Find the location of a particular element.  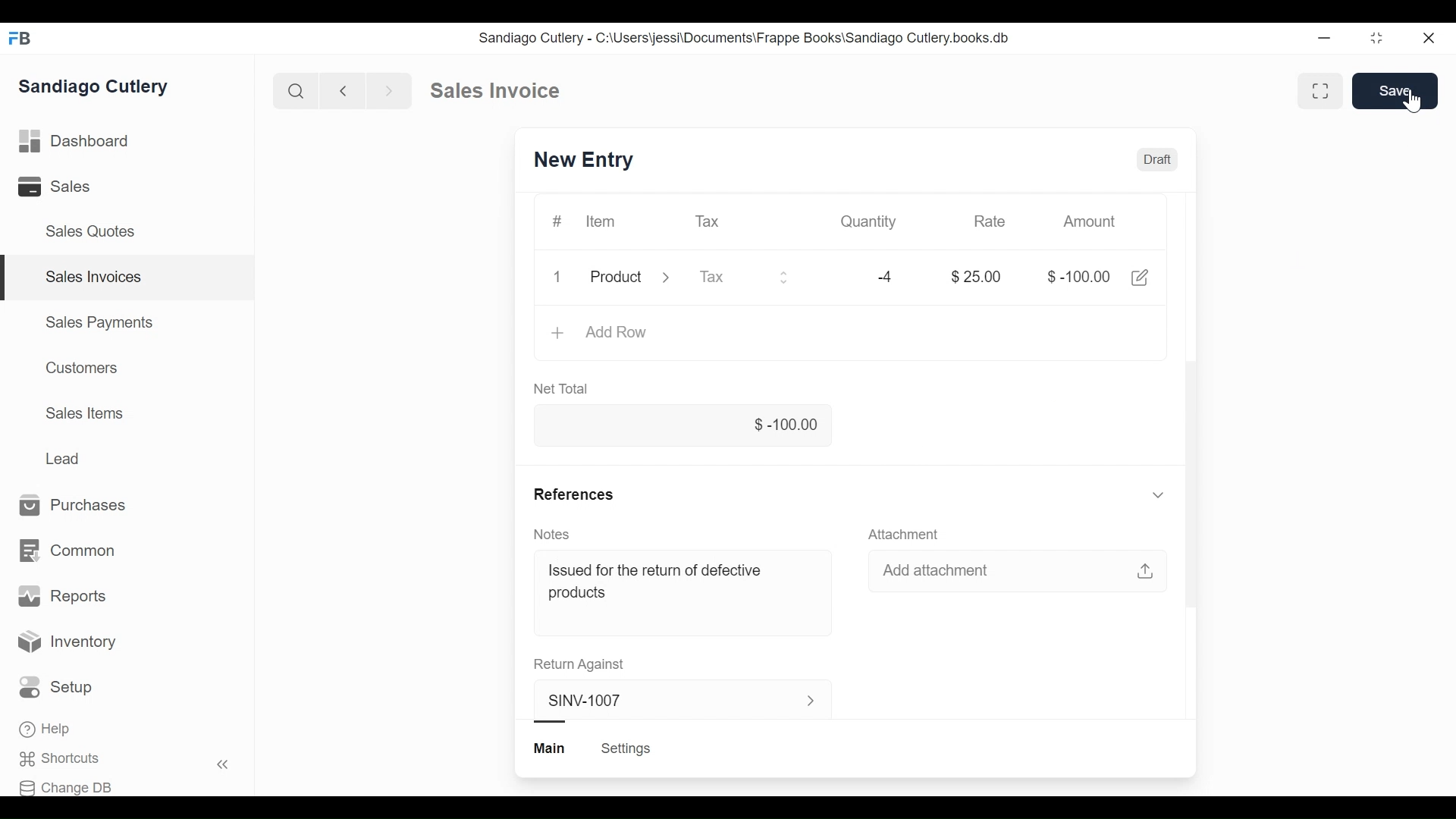

Customers is located at coordinates (83, 367).